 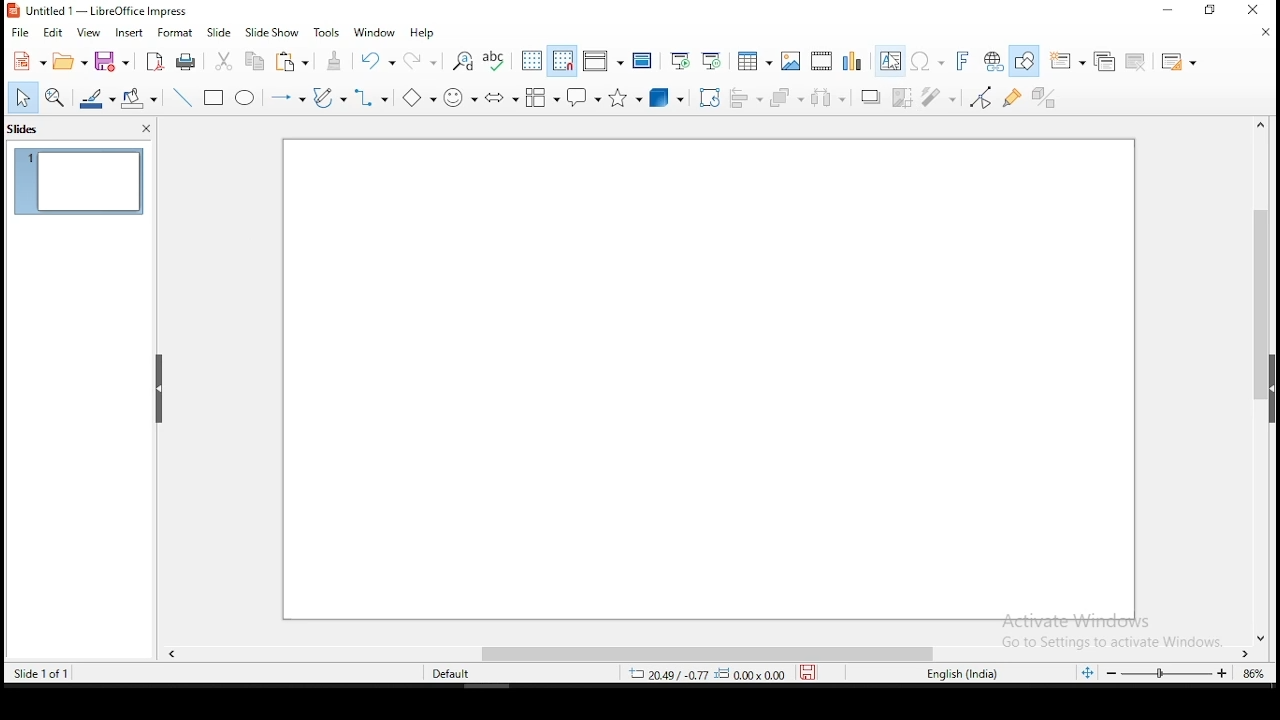 What do you see at coordinates (374, 32) in the screenshot?
I see `window` at bounding box center [374, 32].